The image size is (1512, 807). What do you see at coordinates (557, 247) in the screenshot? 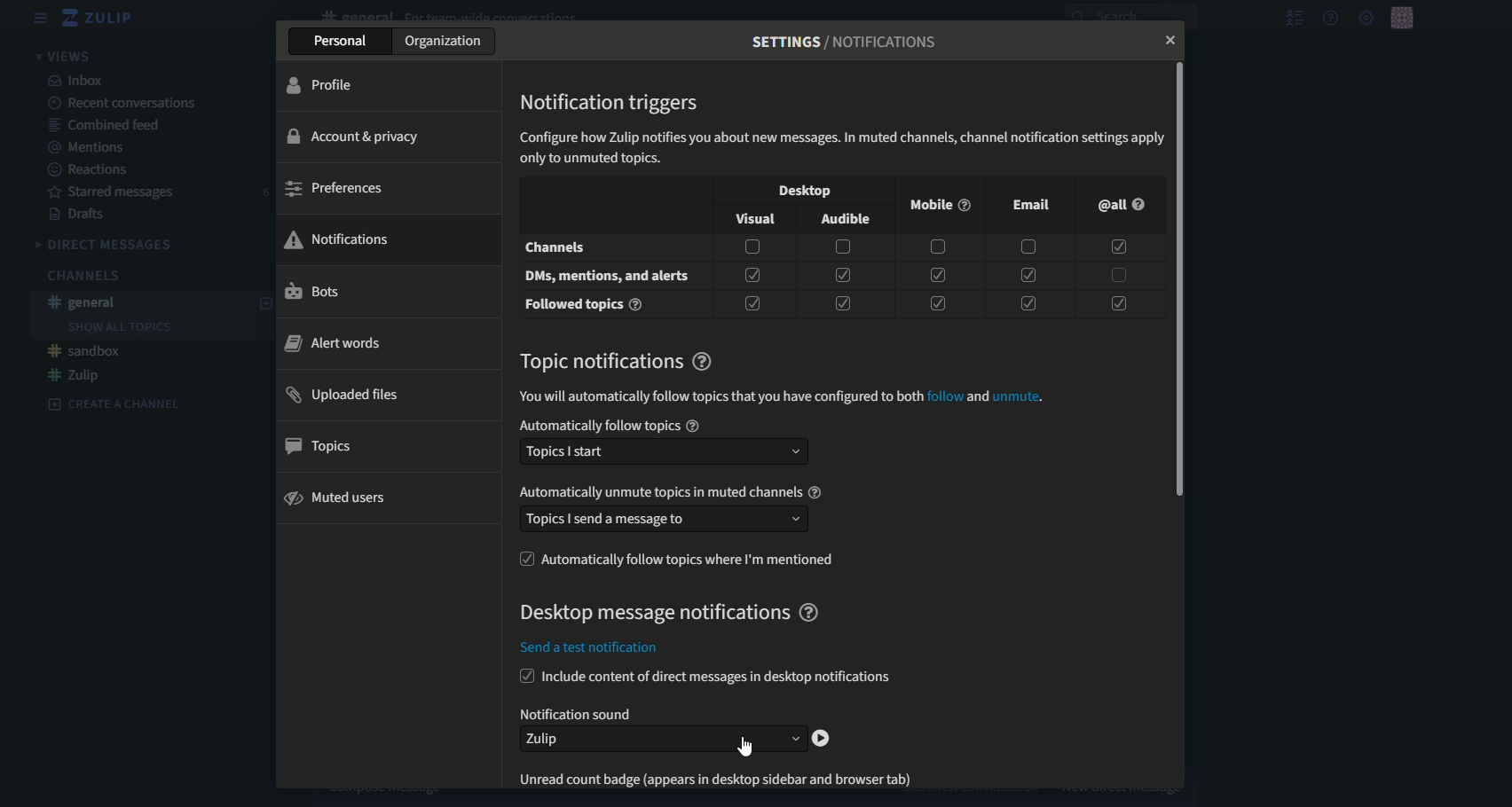
I see `channels` at bounding box center [557, 247].